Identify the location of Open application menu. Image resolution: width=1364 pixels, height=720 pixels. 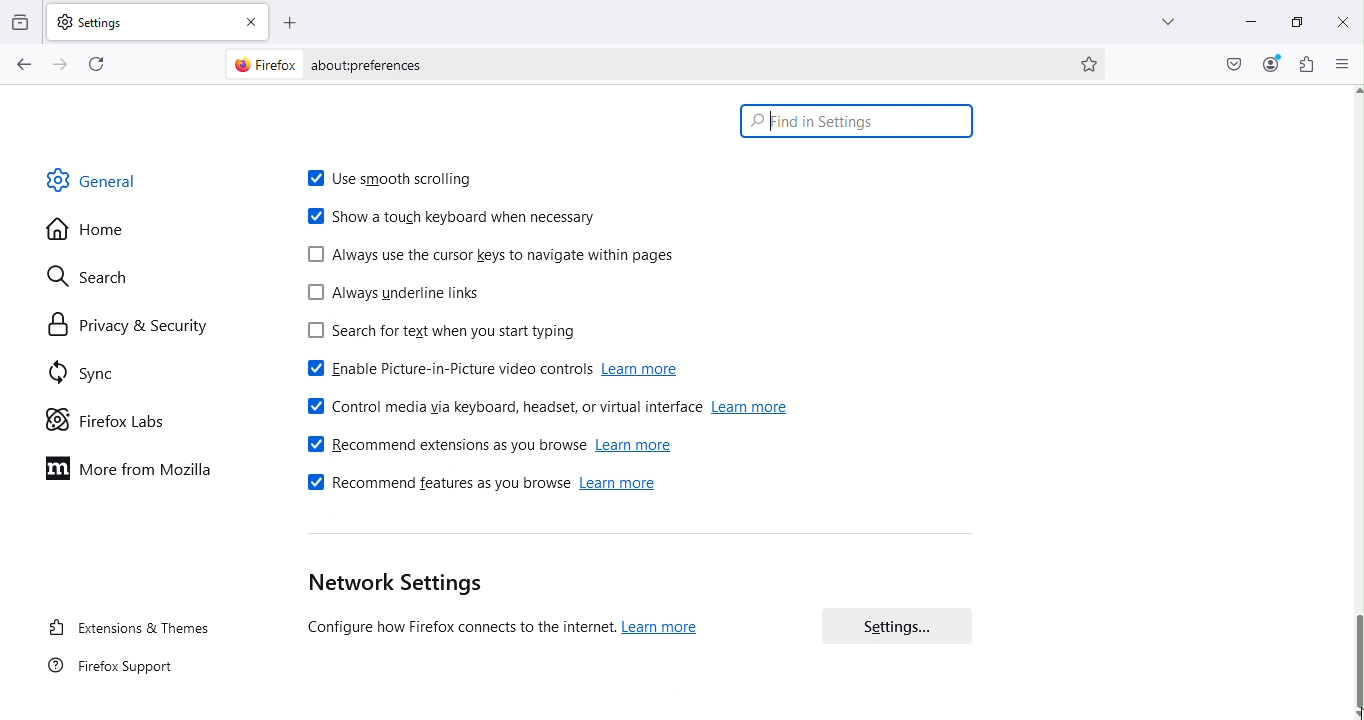
(1343, 63).